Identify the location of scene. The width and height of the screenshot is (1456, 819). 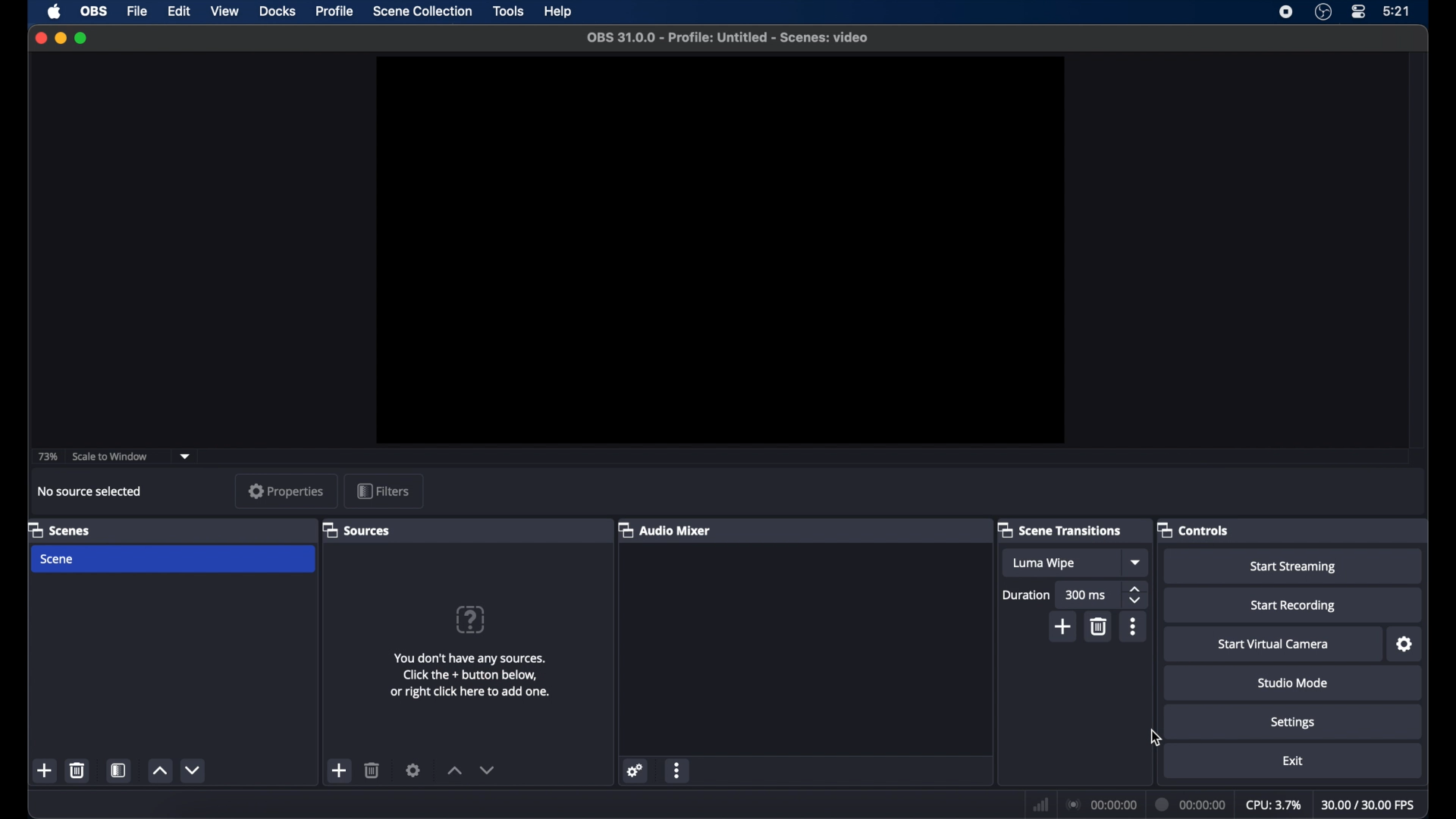
(58, 559).